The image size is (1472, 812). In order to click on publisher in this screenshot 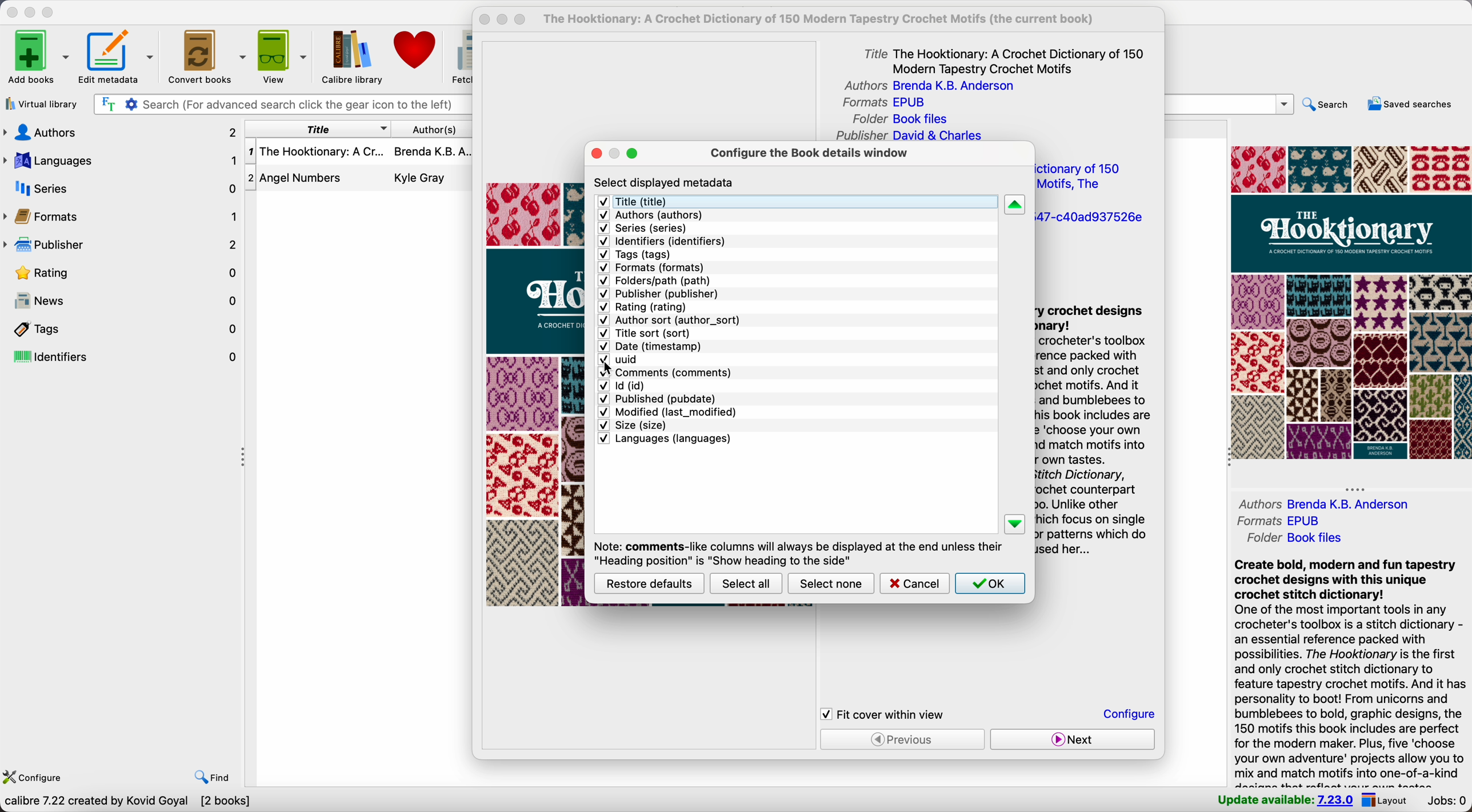, I will do `click(122, 245)`.